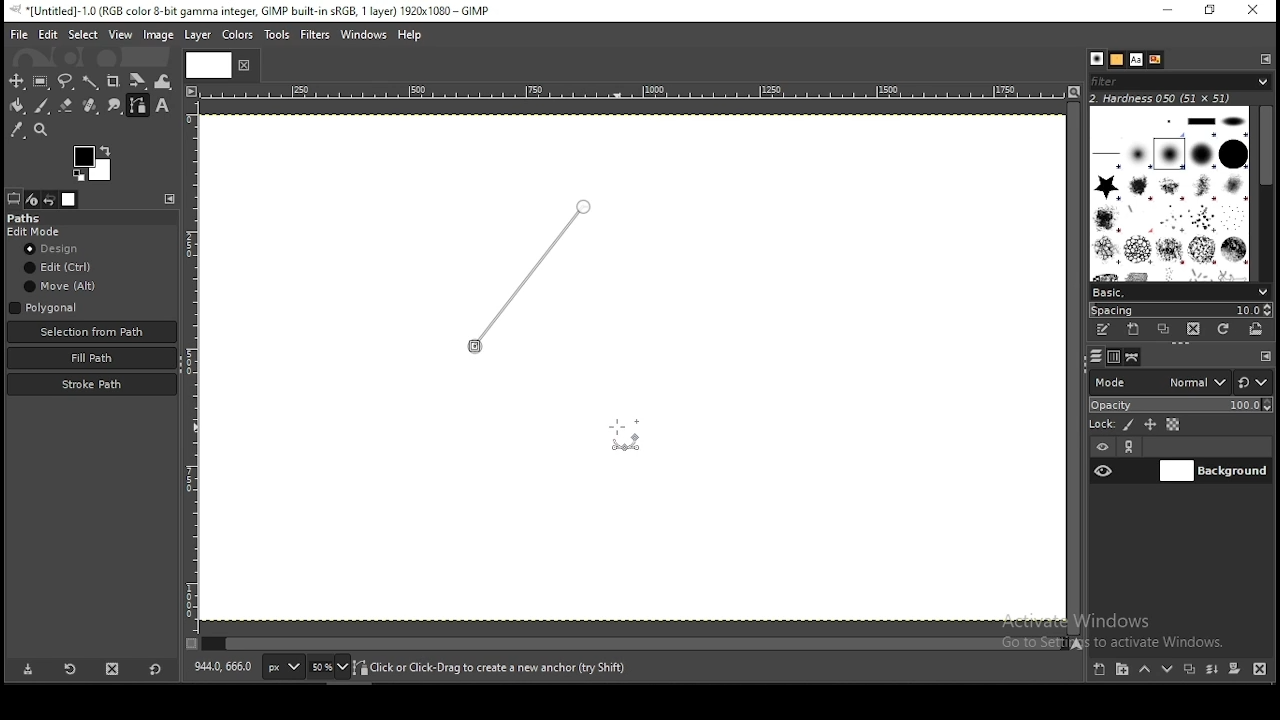 The height and width of the screenshot is (720, 1280). Describe the element at coordinates (92, 384) in the screenshot. I see `stroke path` at that location.